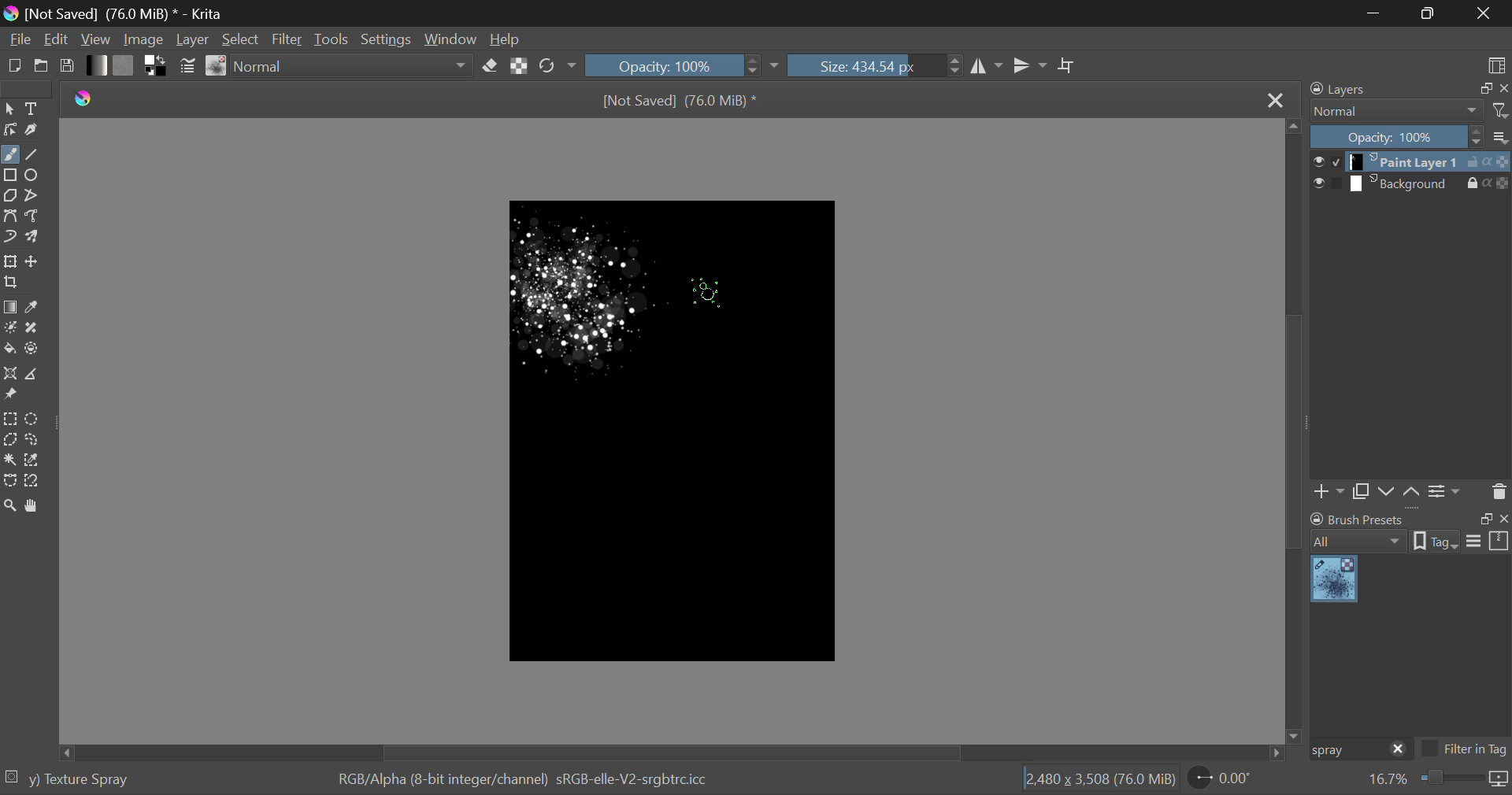 This screenshot has width=1512, height=795. I want to click on Eyedropper, so click(34, 309).